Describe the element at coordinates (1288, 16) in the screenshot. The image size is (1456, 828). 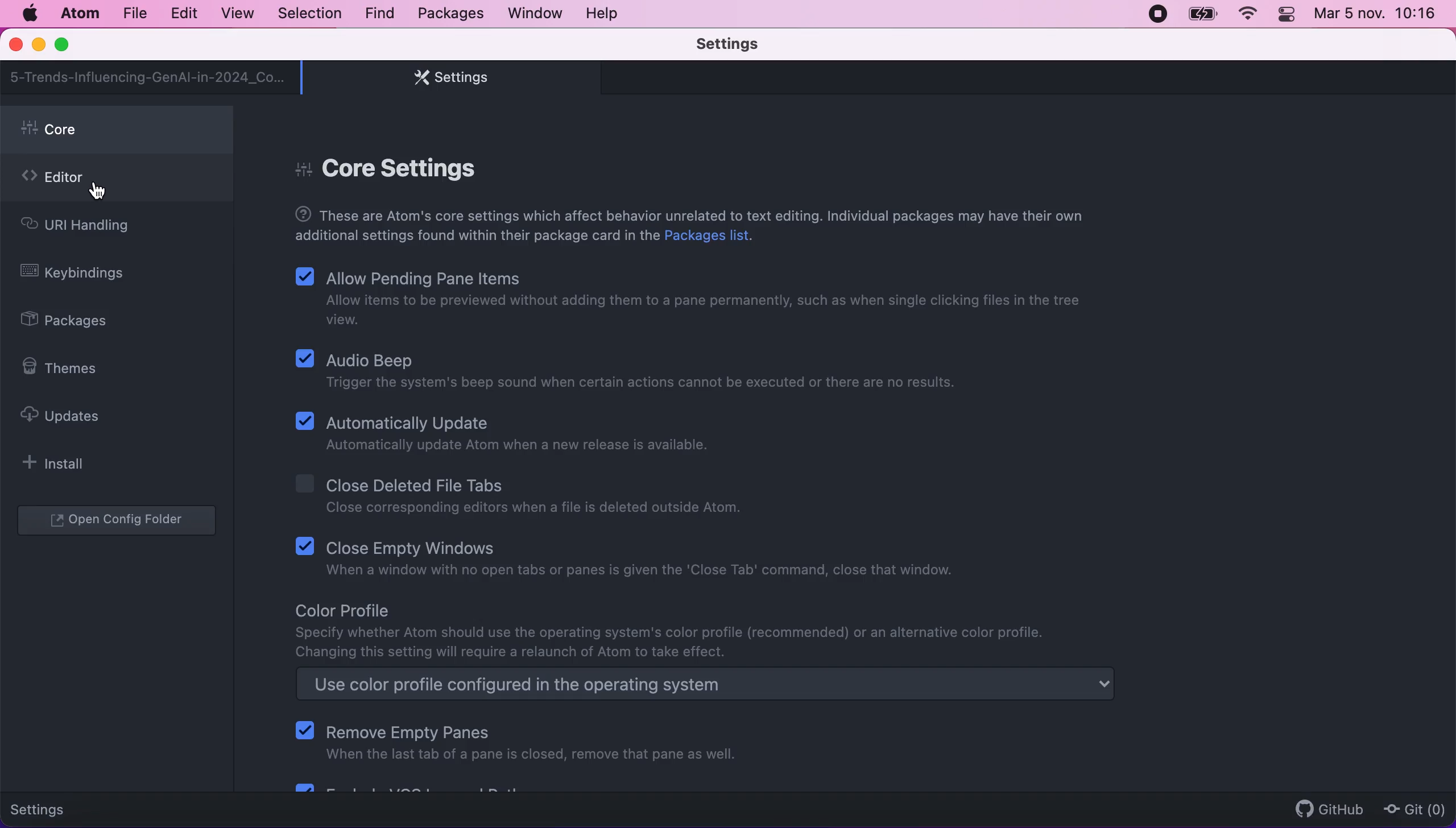
I see `control panel` at that location.